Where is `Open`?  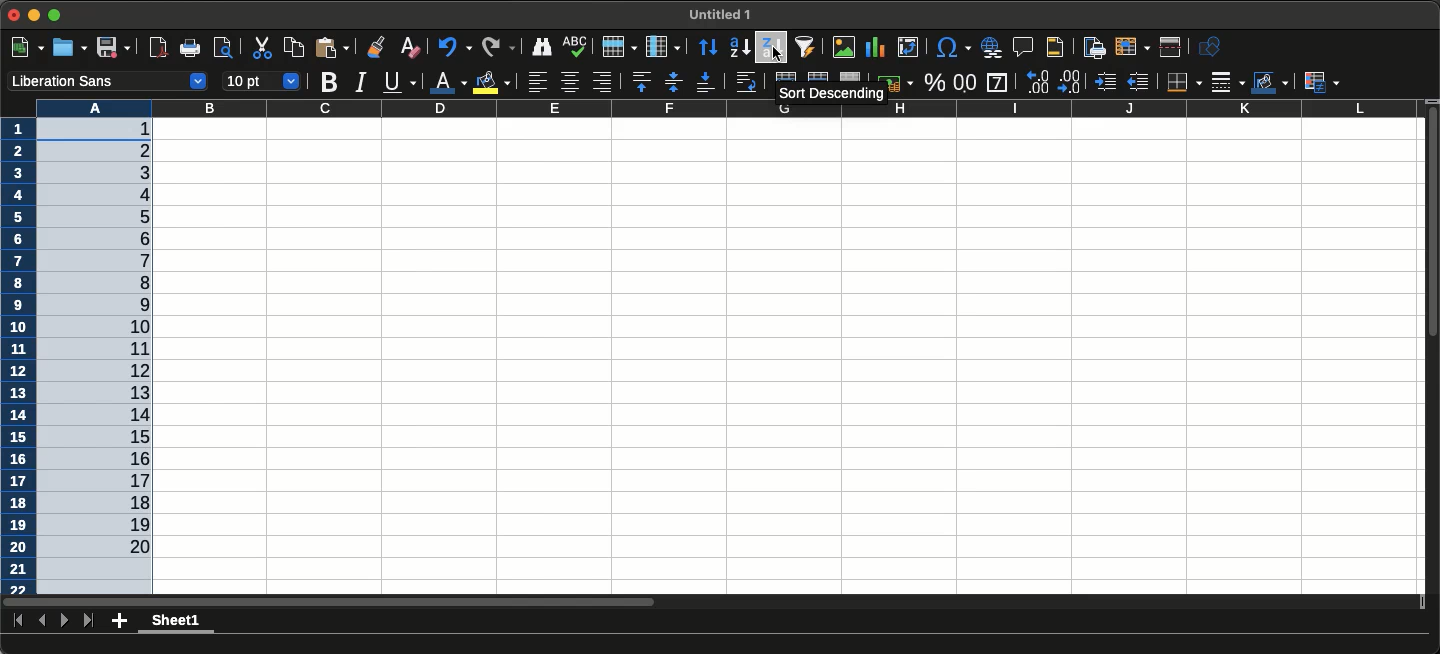 Open is located at coordinates (69, 48).